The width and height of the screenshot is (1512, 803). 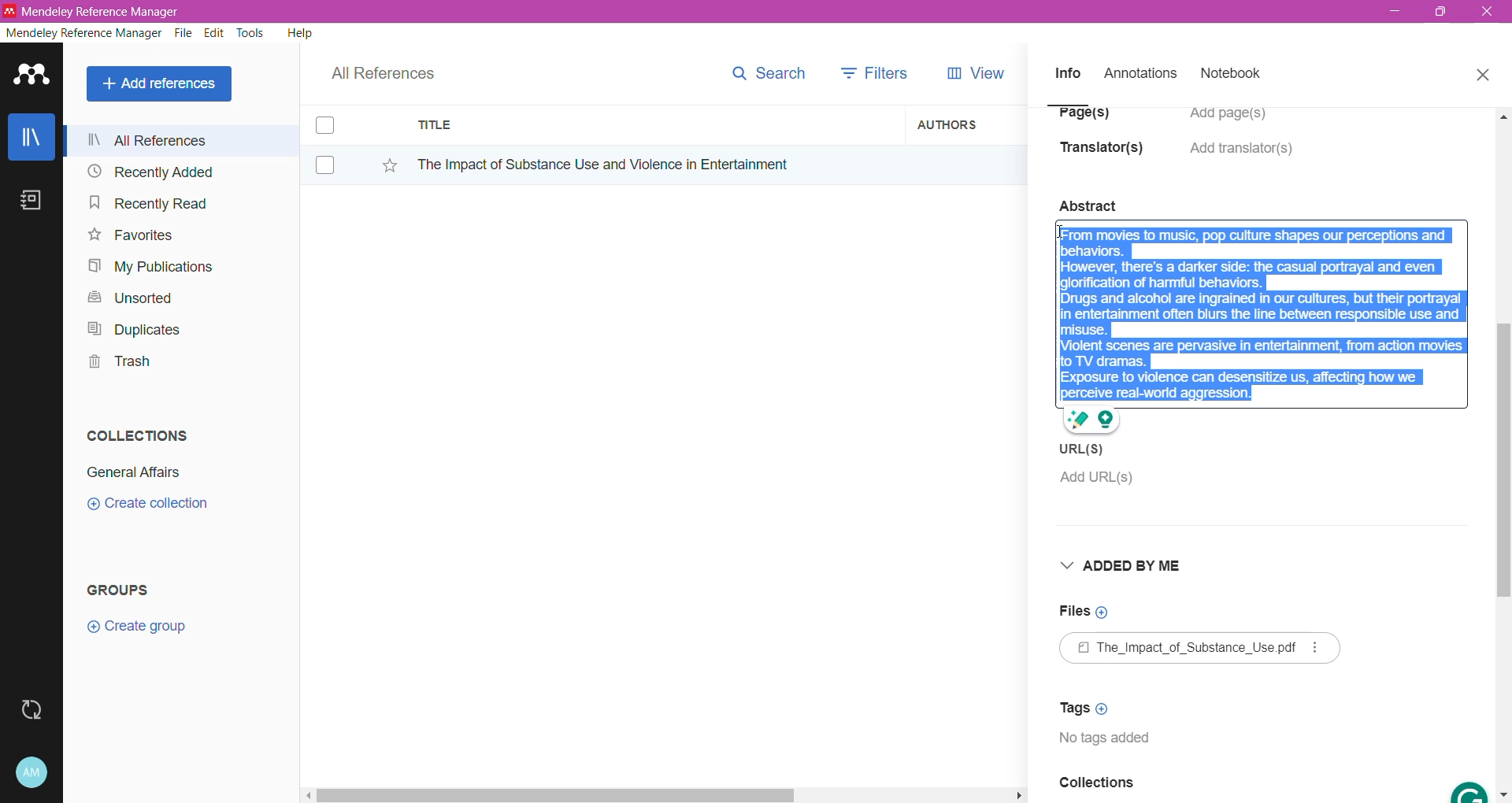 What do you see at coordinates (1243, 157) in the screenshot?
I see `Click to Add translators` at bounding box center [1243, 157].